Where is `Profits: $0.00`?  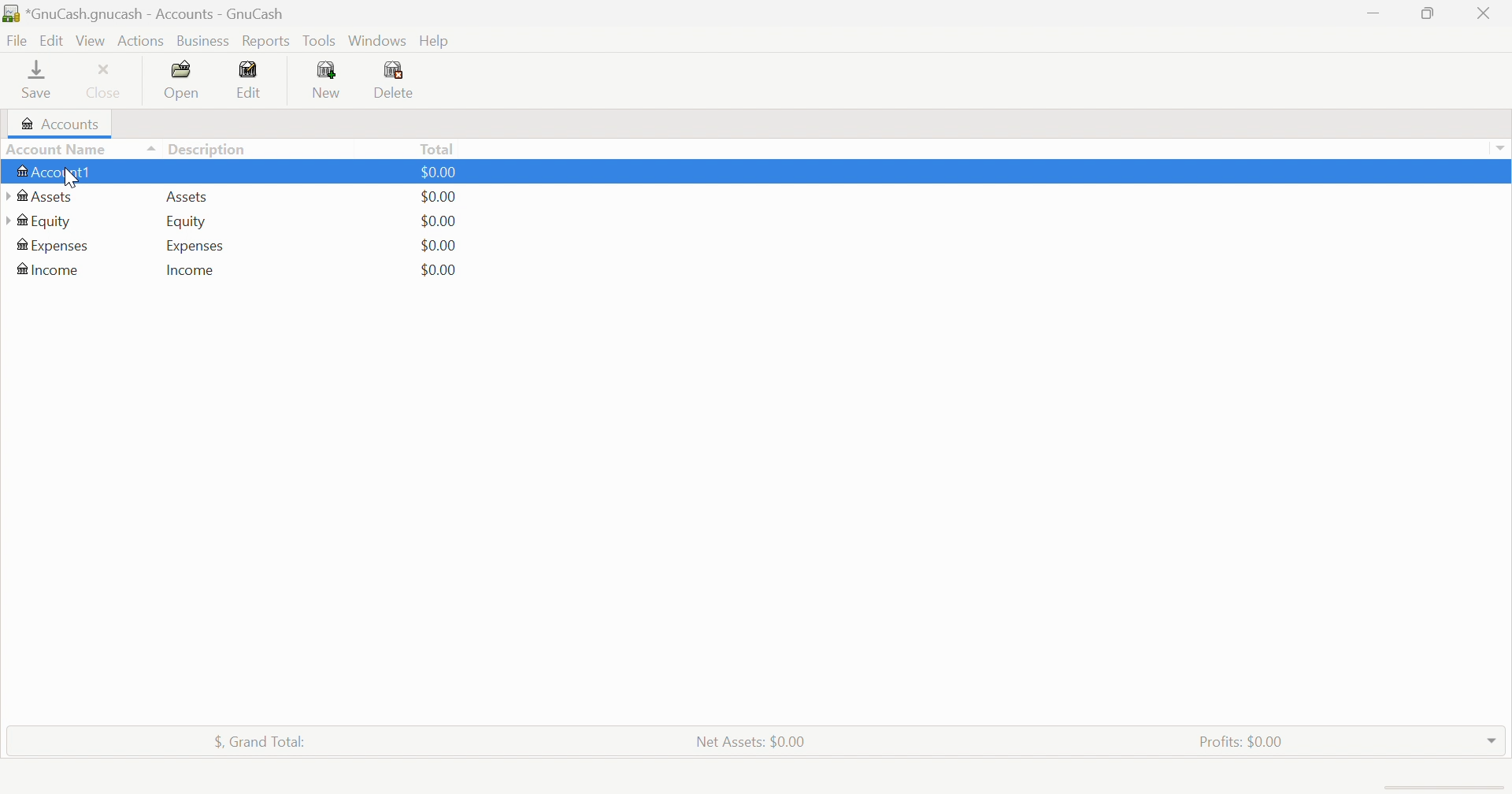
Profits: $0.00 is located at coordinates (1242, 741).